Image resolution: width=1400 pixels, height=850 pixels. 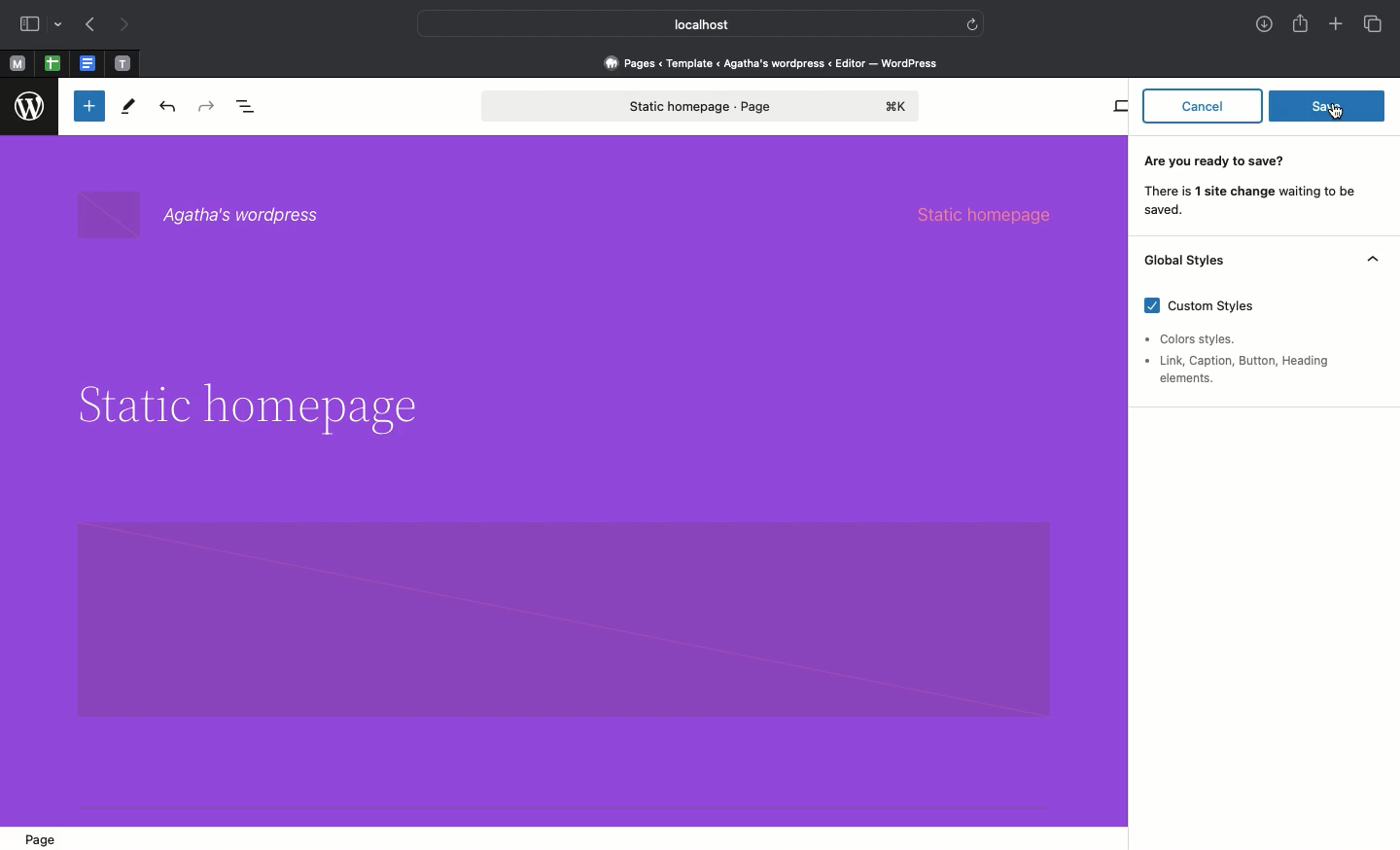 I want to click on Local host, so click(x=686, y=23).